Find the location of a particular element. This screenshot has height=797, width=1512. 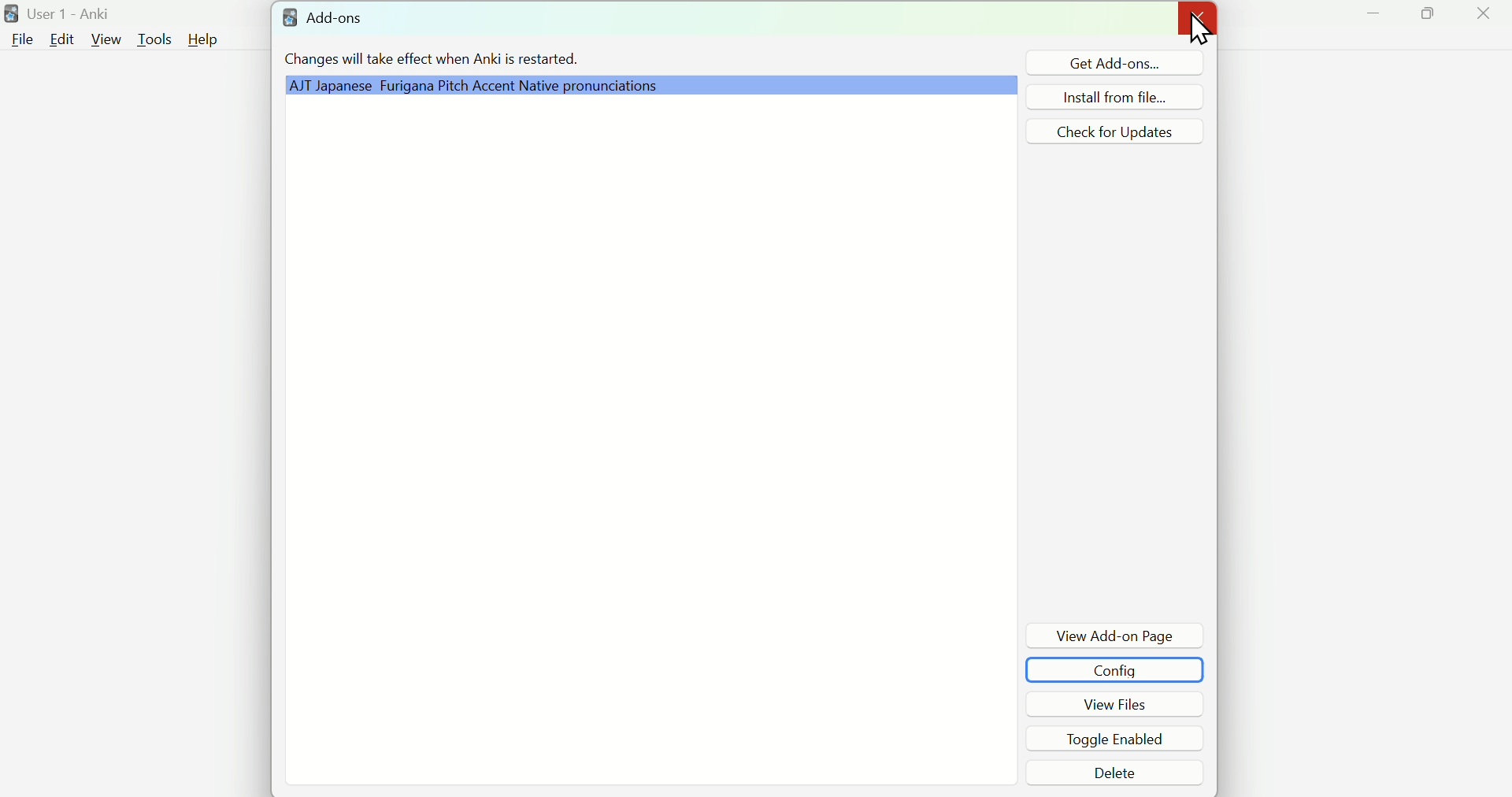

Check for Updates is located at coordinates (1118, 132).